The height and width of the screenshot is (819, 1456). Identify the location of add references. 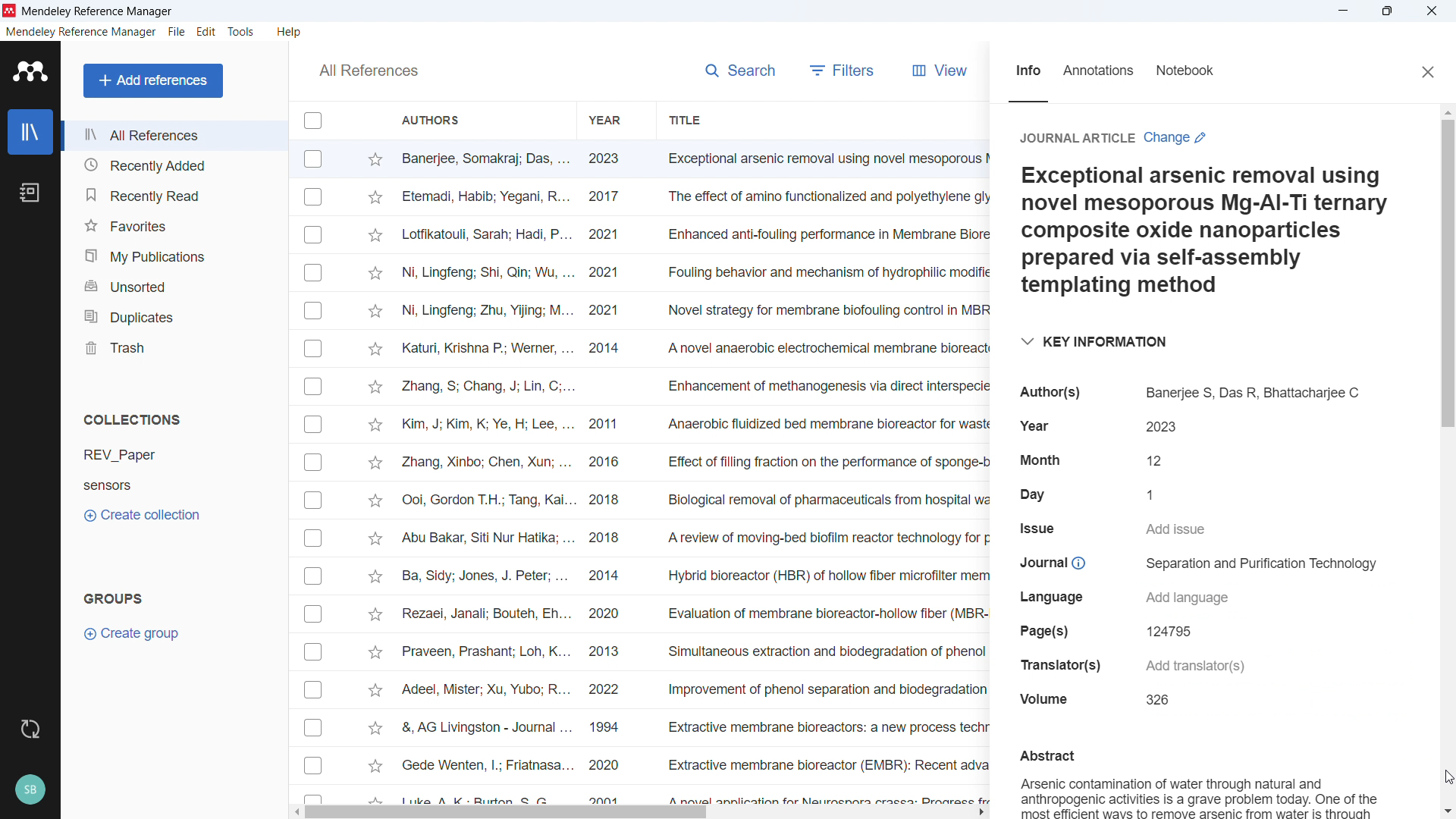
(154, 80).